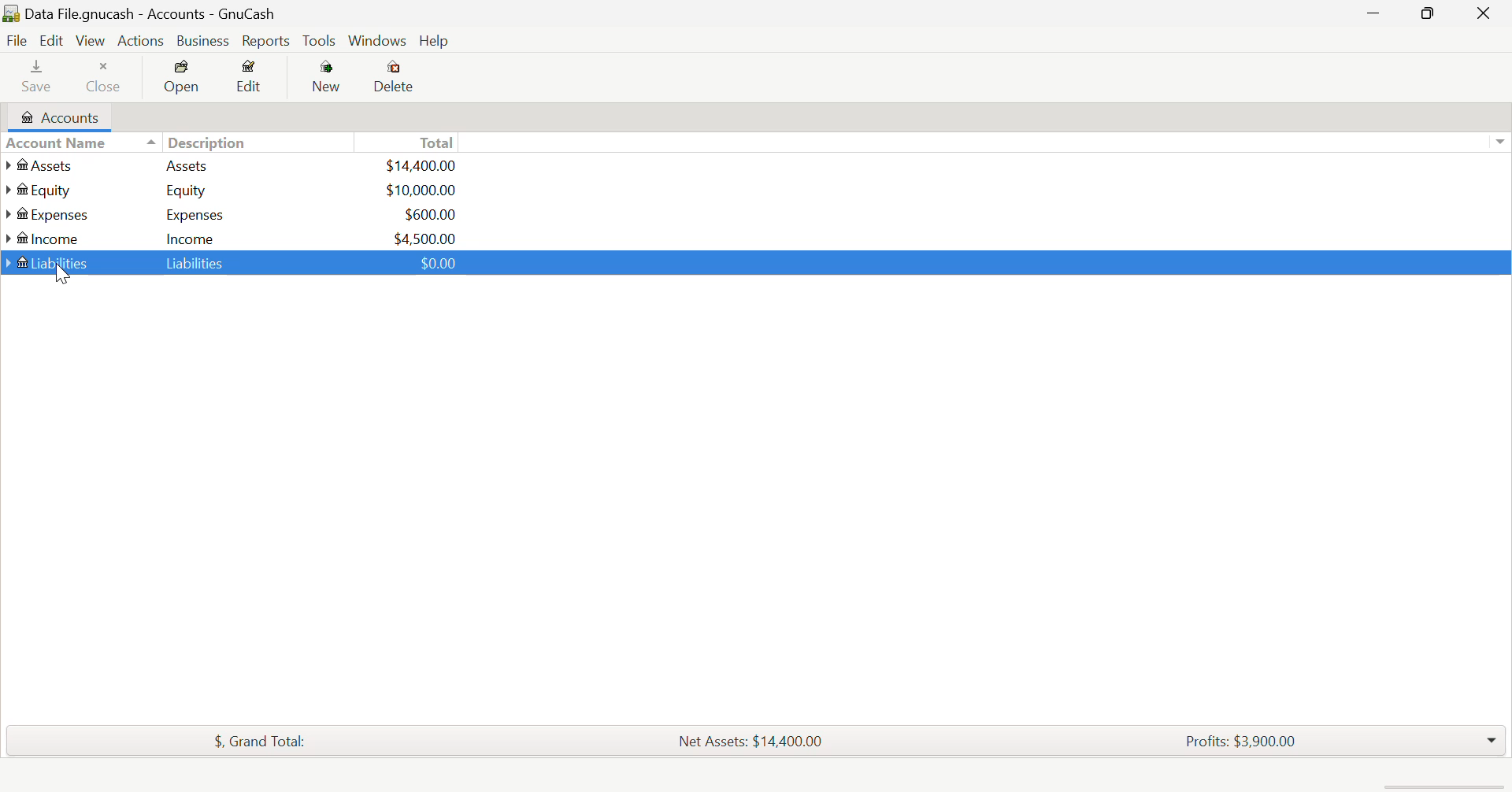  Describe the element at coordinates (328, 80) in the screenshot. I see `New` at that location.